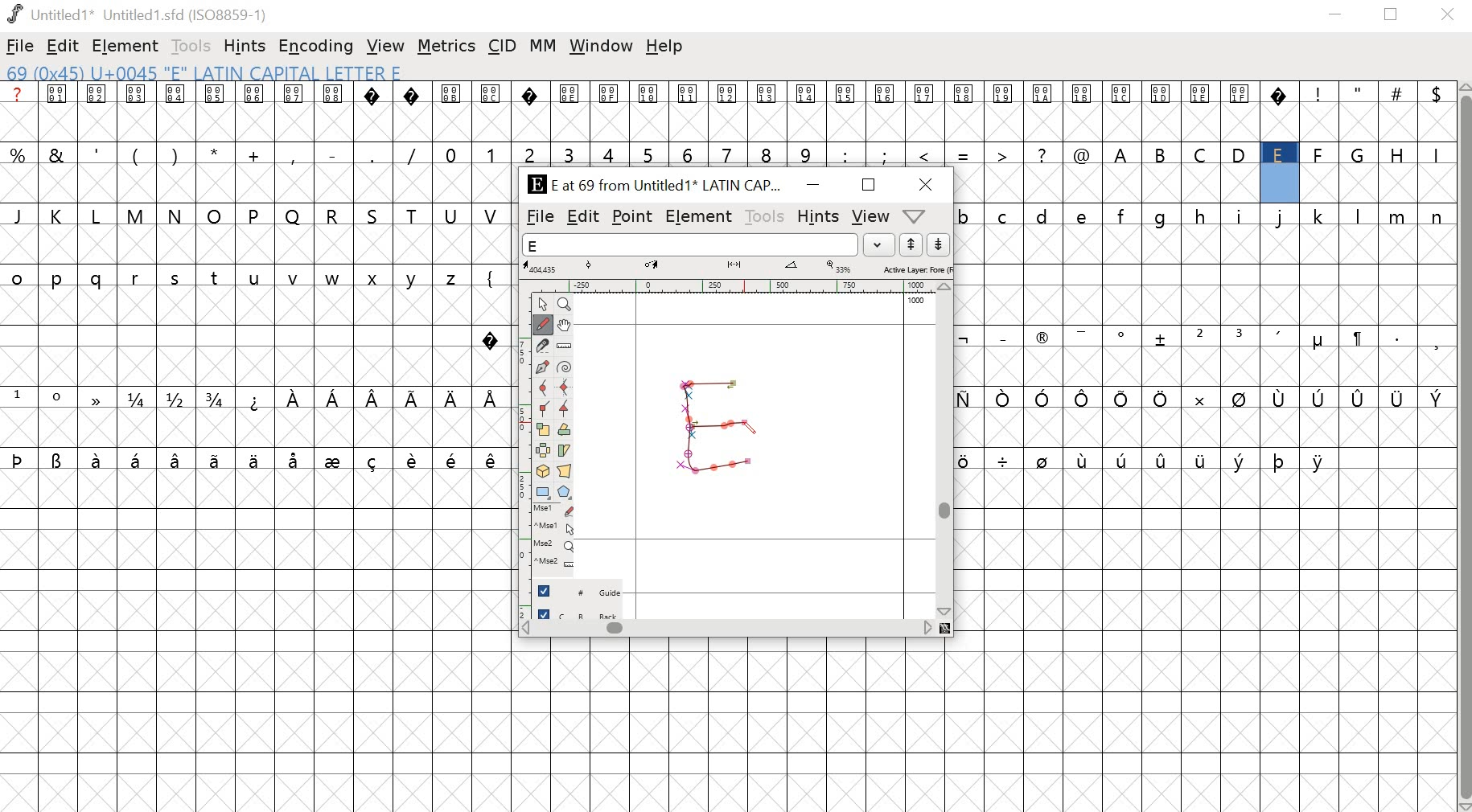  What do you see at coordinates (553, 155) in the screenshot?
I see `symbols and numbers` at bounding box center [553, 155].